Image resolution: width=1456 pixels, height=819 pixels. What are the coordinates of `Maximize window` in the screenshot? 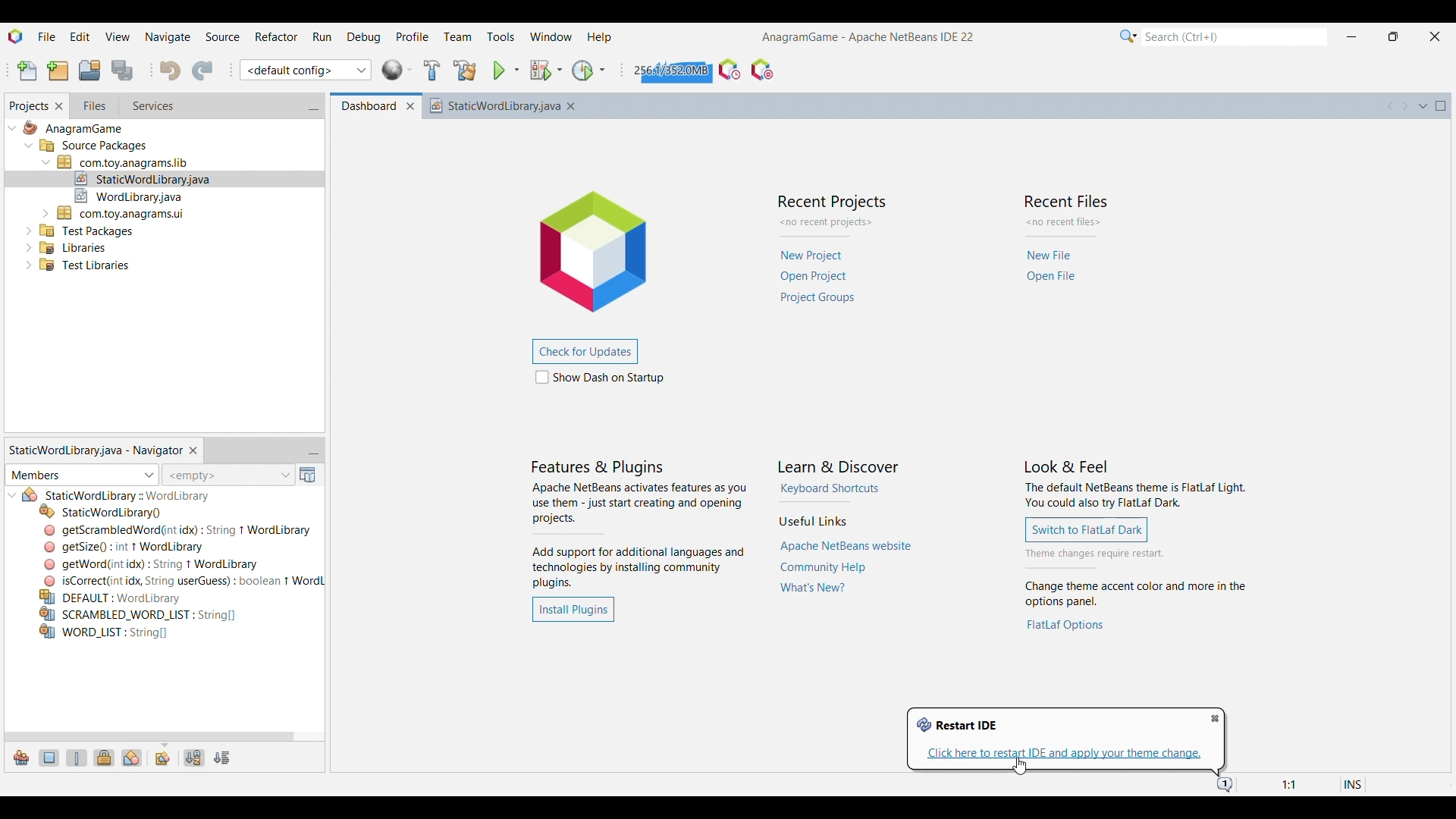 It's located at (1441, 106).